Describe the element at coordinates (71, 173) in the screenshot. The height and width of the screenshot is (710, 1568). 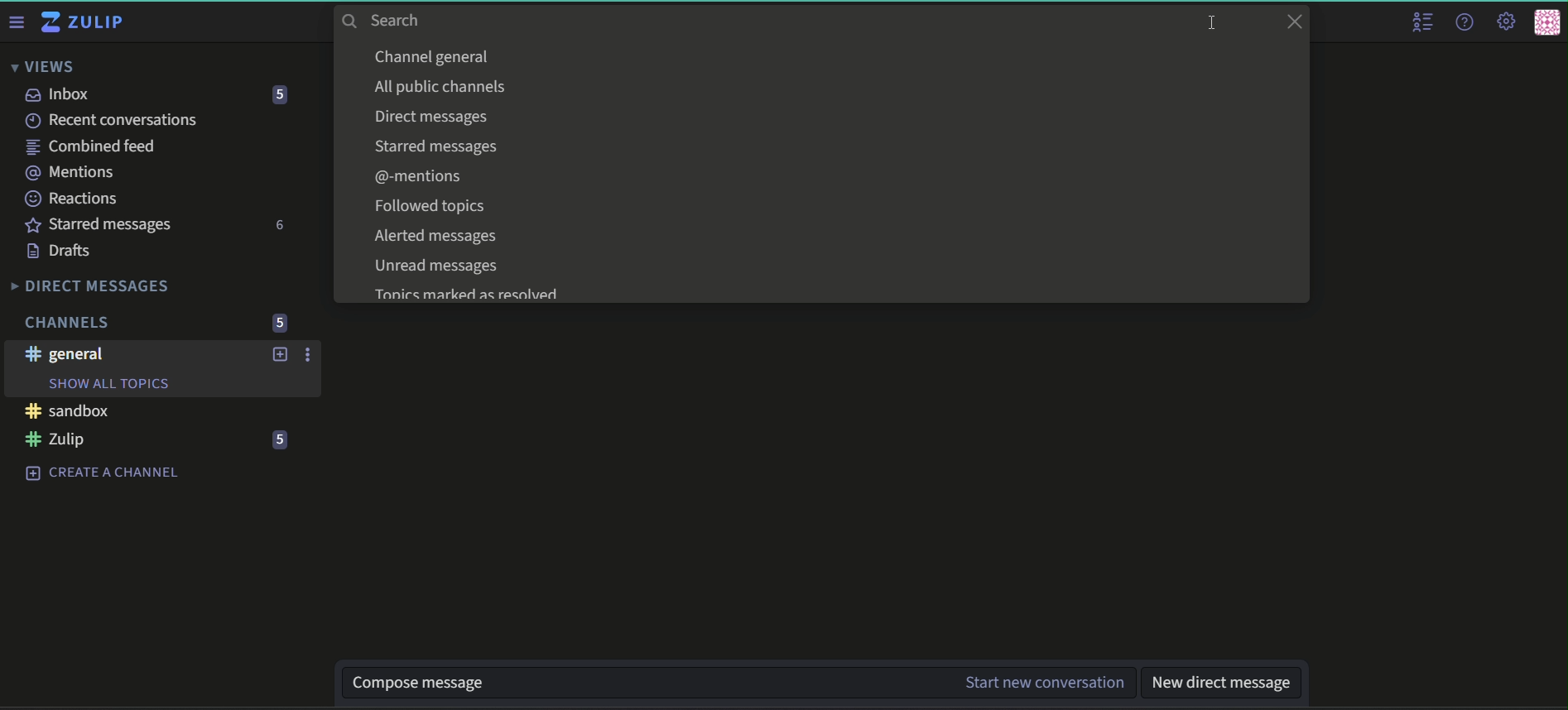
I see `mentions` at that location.